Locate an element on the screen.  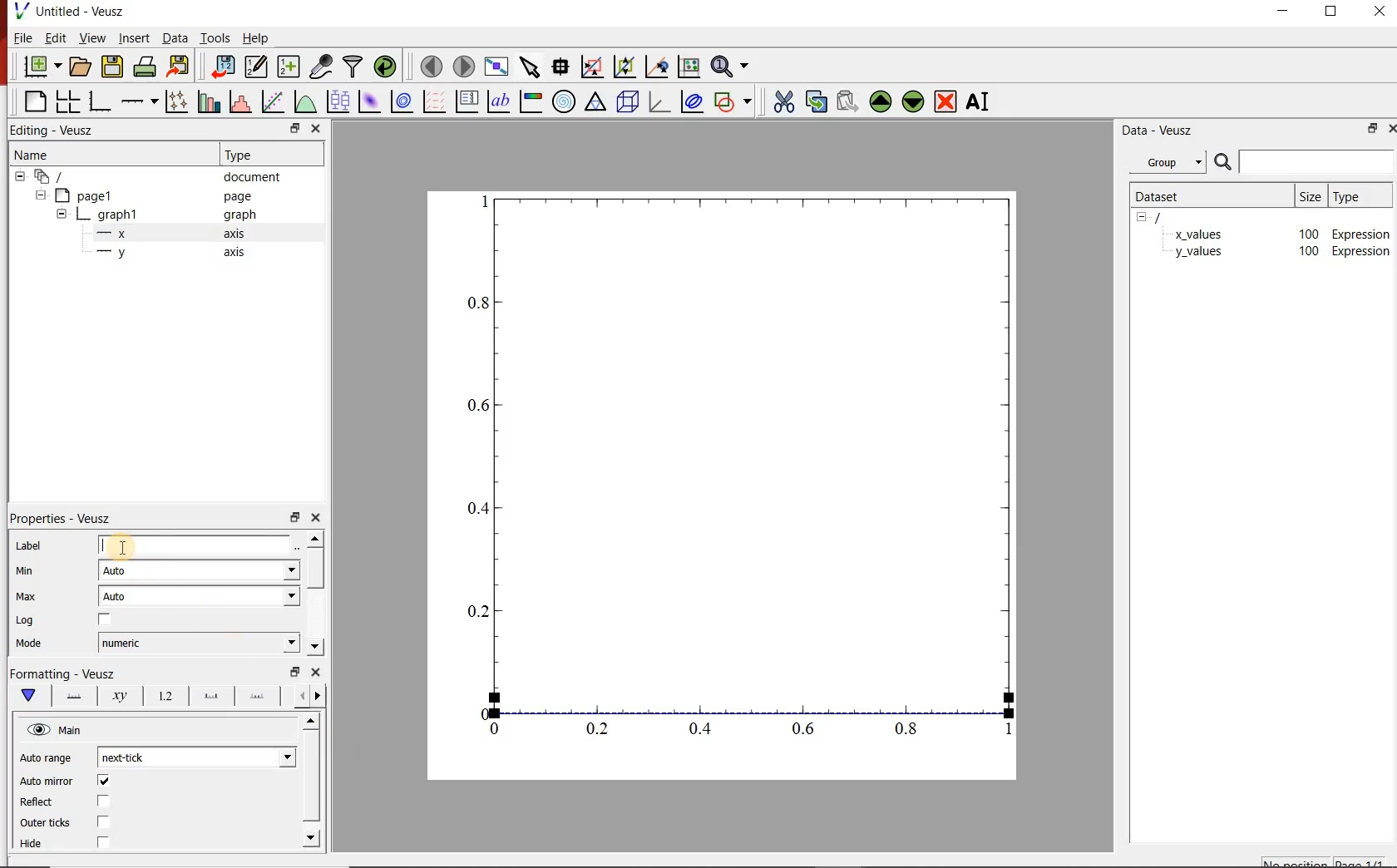
input search is located at coordinates (1316, 161).